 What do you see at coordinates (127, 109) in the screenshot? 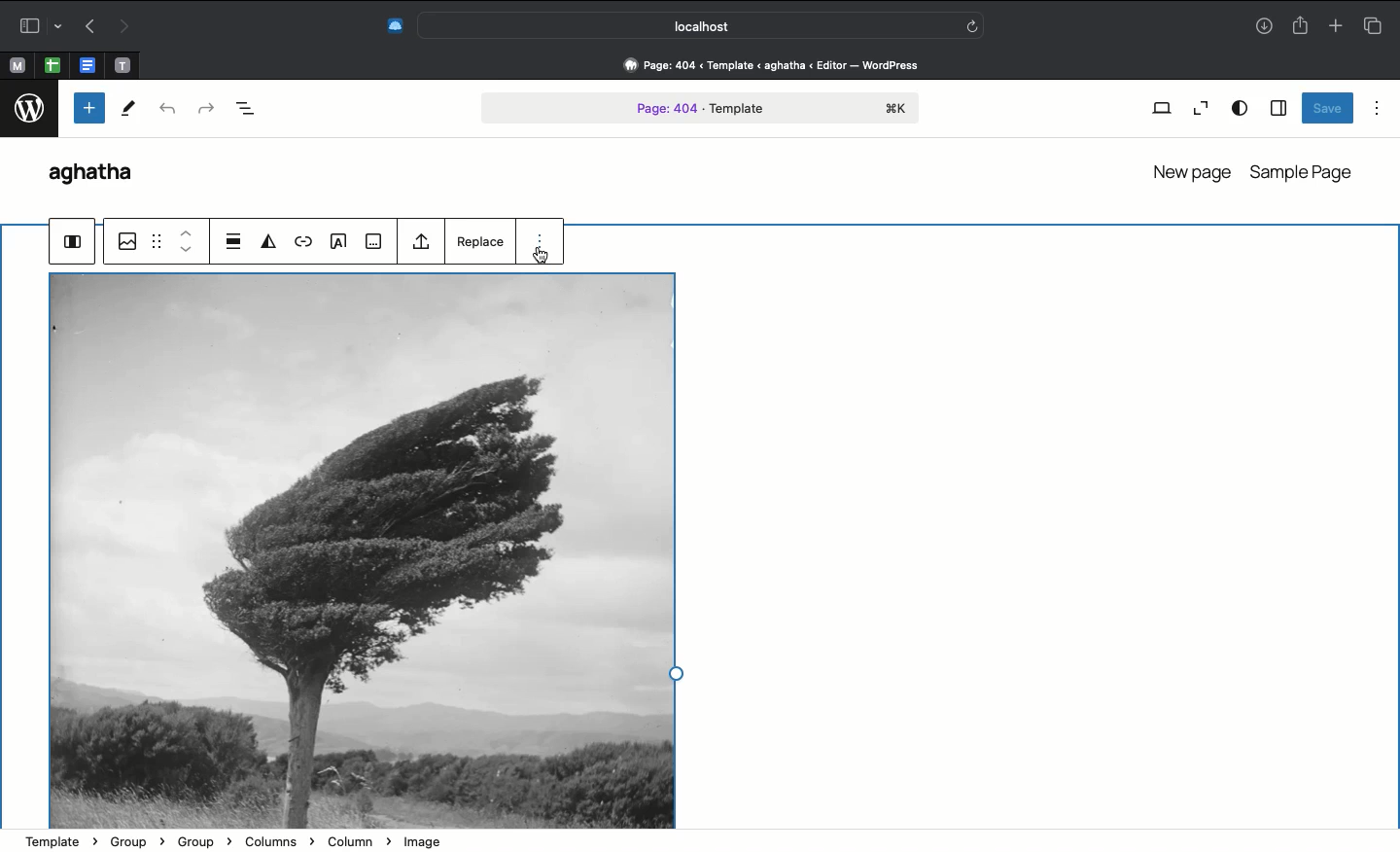
I see `Tools` at bounding box center [127, 109].